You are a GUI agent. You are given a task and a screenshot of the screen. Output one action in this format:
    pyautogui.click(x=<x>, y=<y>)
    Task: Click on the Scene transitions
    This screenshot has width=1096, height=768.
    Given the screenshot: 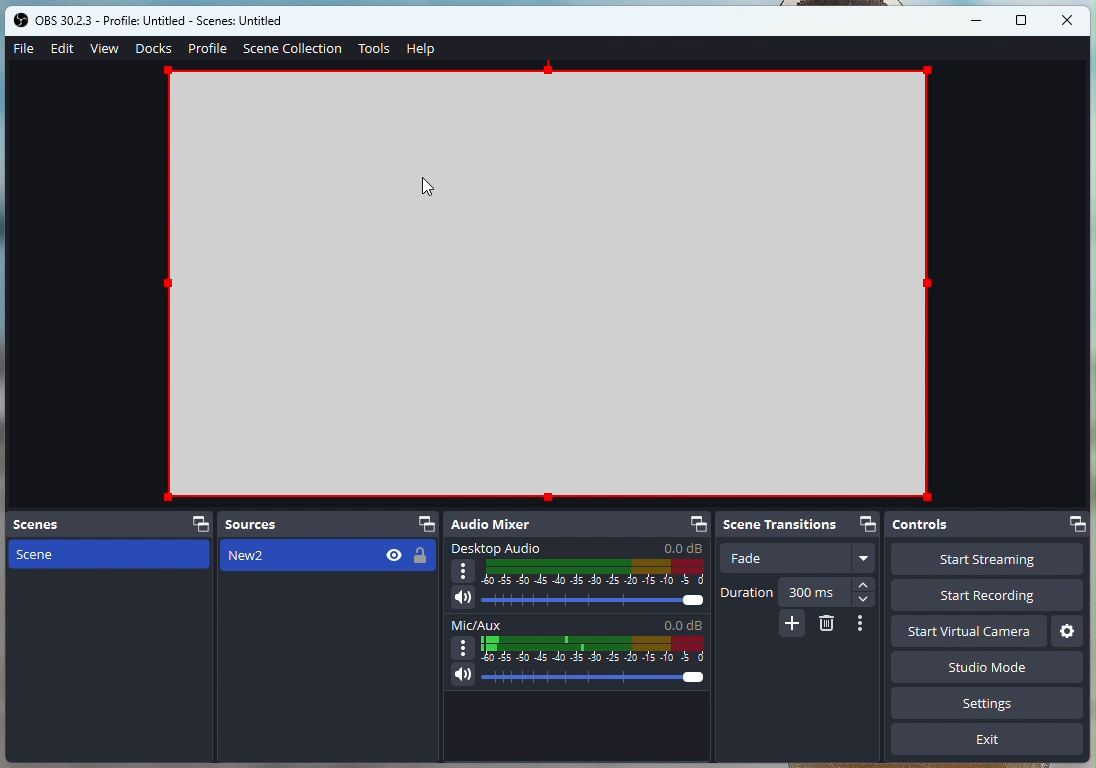 What is the action you would take?
    pyautogui.click(x=802, y=524)
    